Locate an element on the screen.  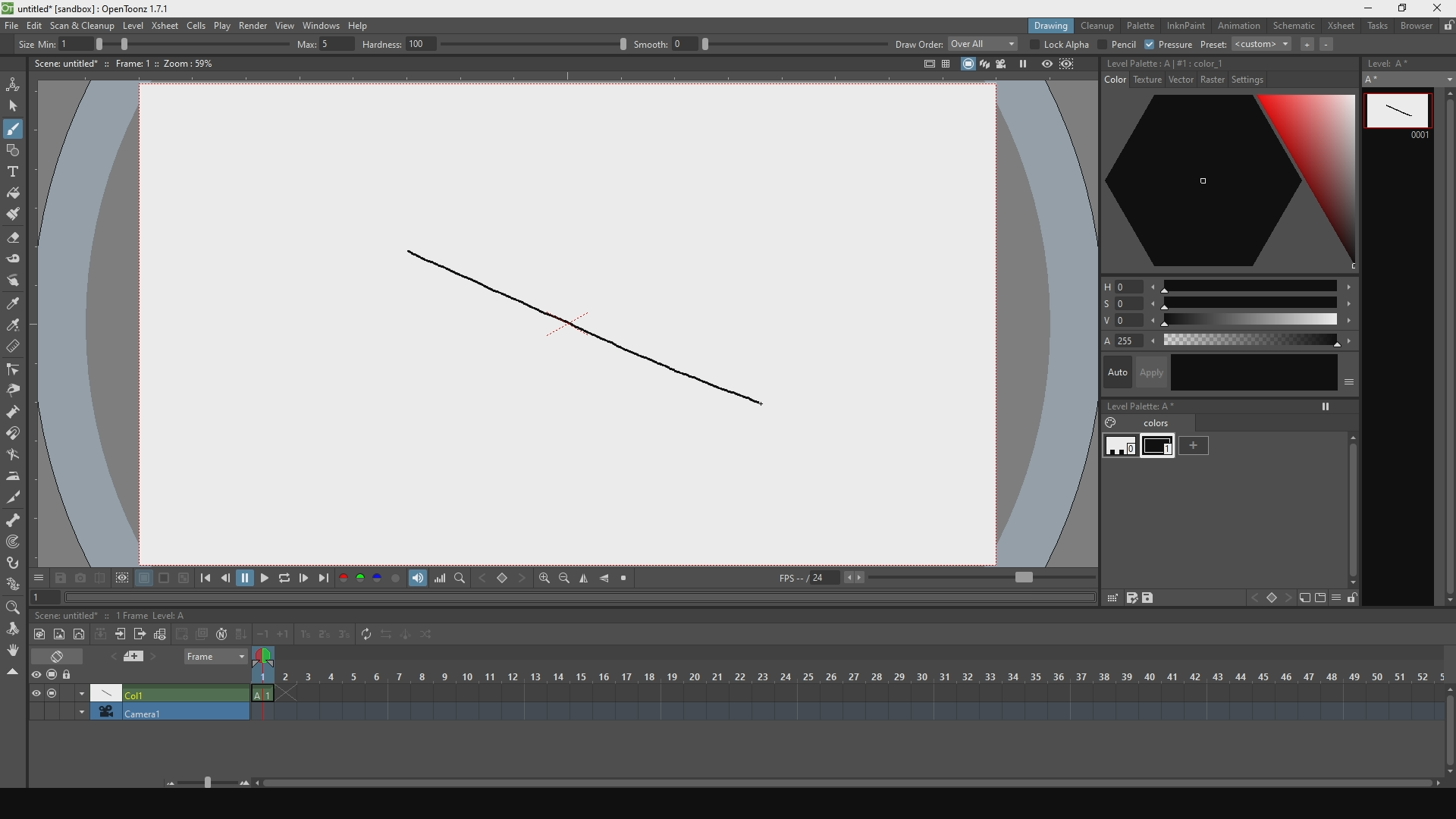
scene details is located at coordinates (133, 64).